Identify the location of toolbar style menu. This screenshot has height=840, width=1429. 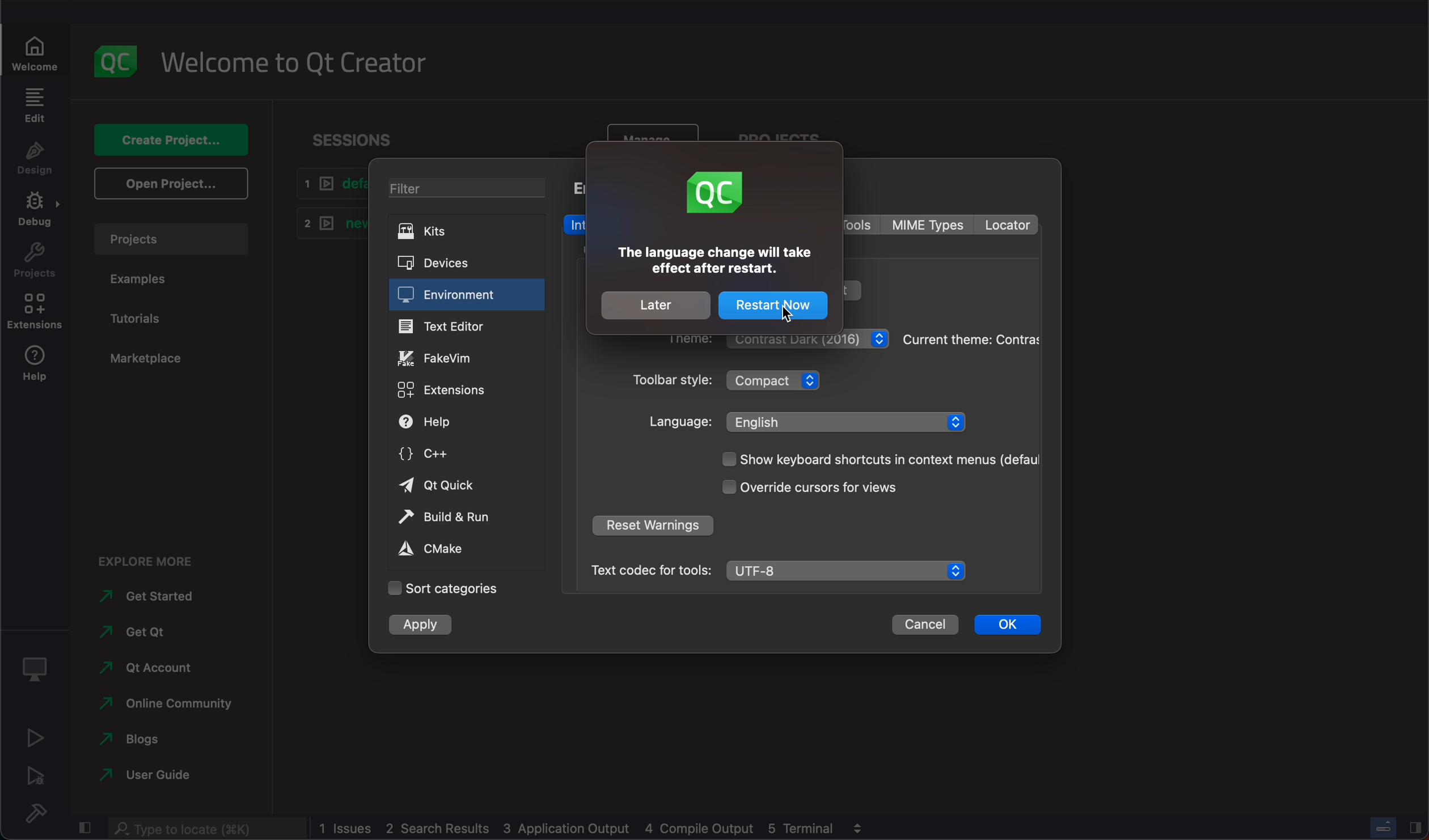
(772, 379).